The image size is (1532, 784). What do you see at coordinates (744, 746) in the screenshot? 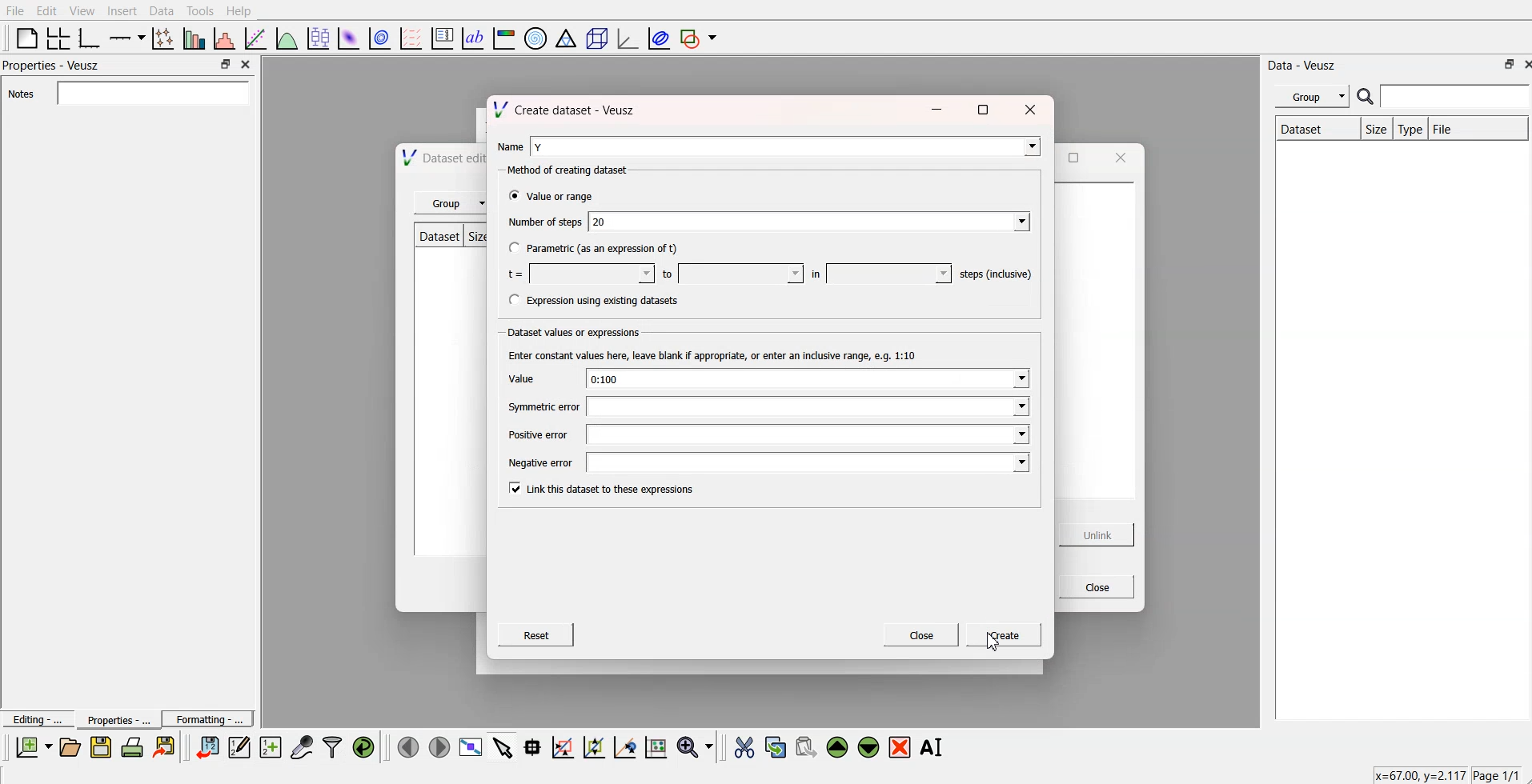
I see `Cut` at bounding box center [744, 746].